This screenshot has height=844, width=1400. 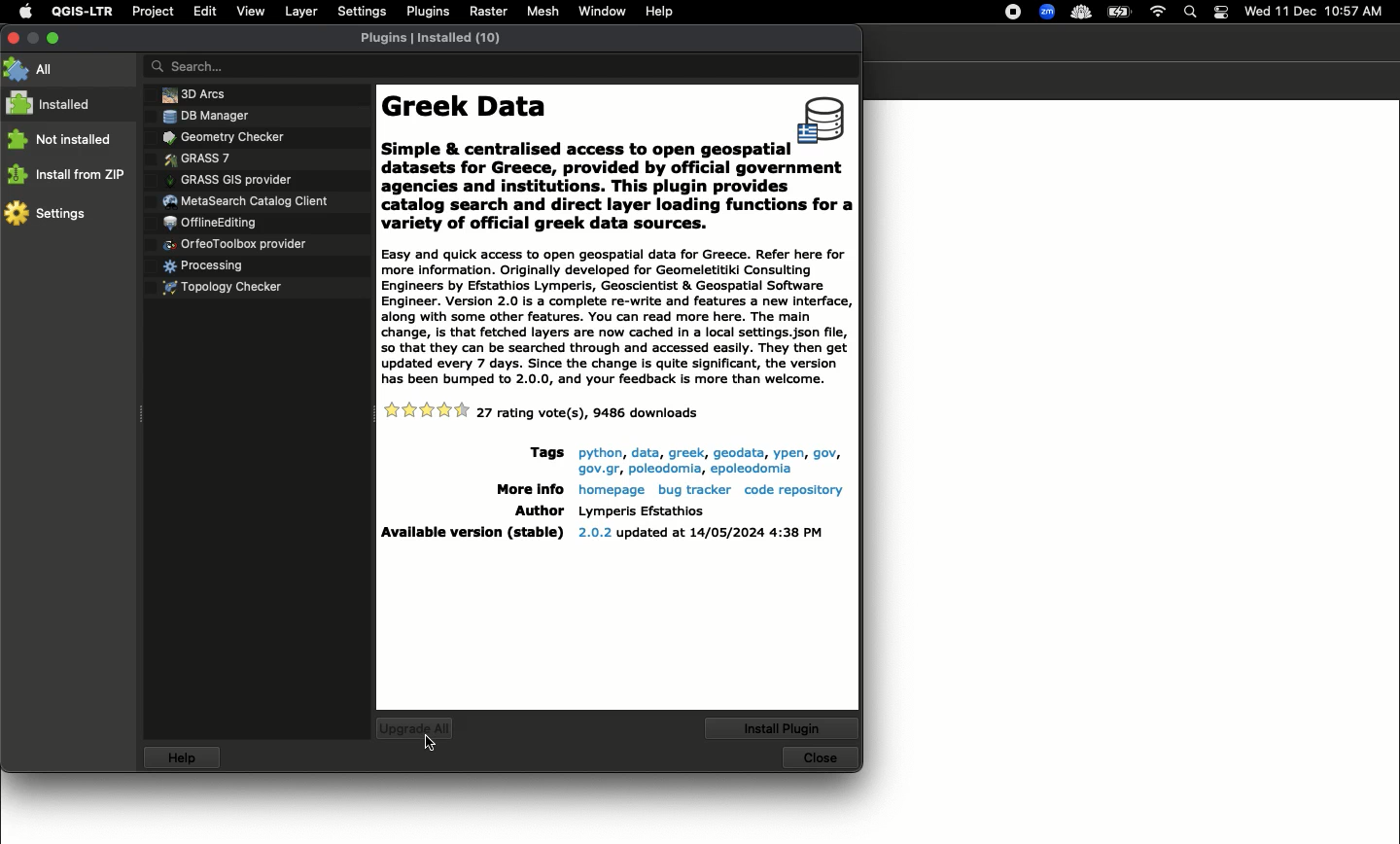 I want to click on QGIS, so click(x=82, y=12).